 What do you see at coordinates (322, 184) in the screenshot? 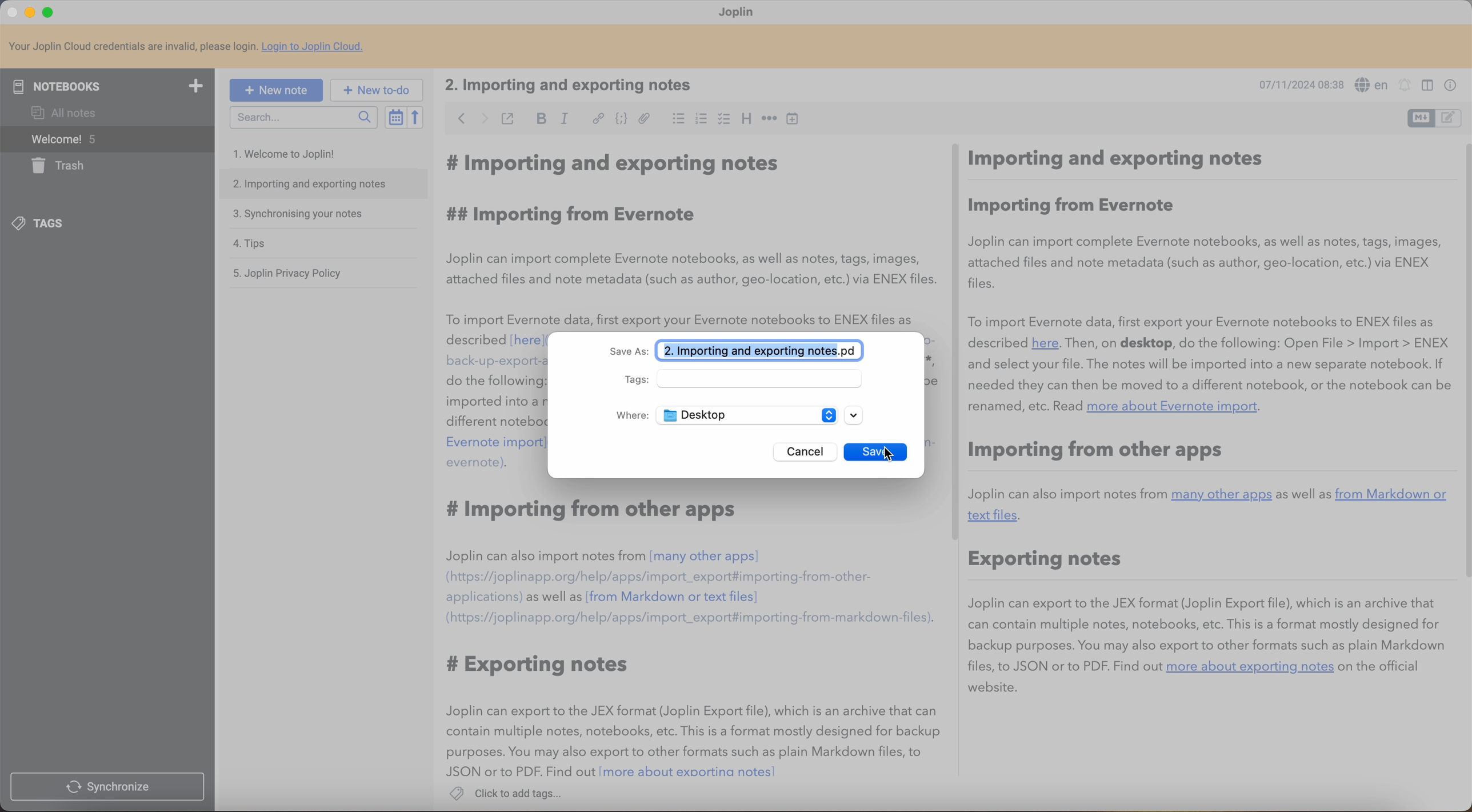
I see `importing and exporting notes` at bounding box center [322, 184].